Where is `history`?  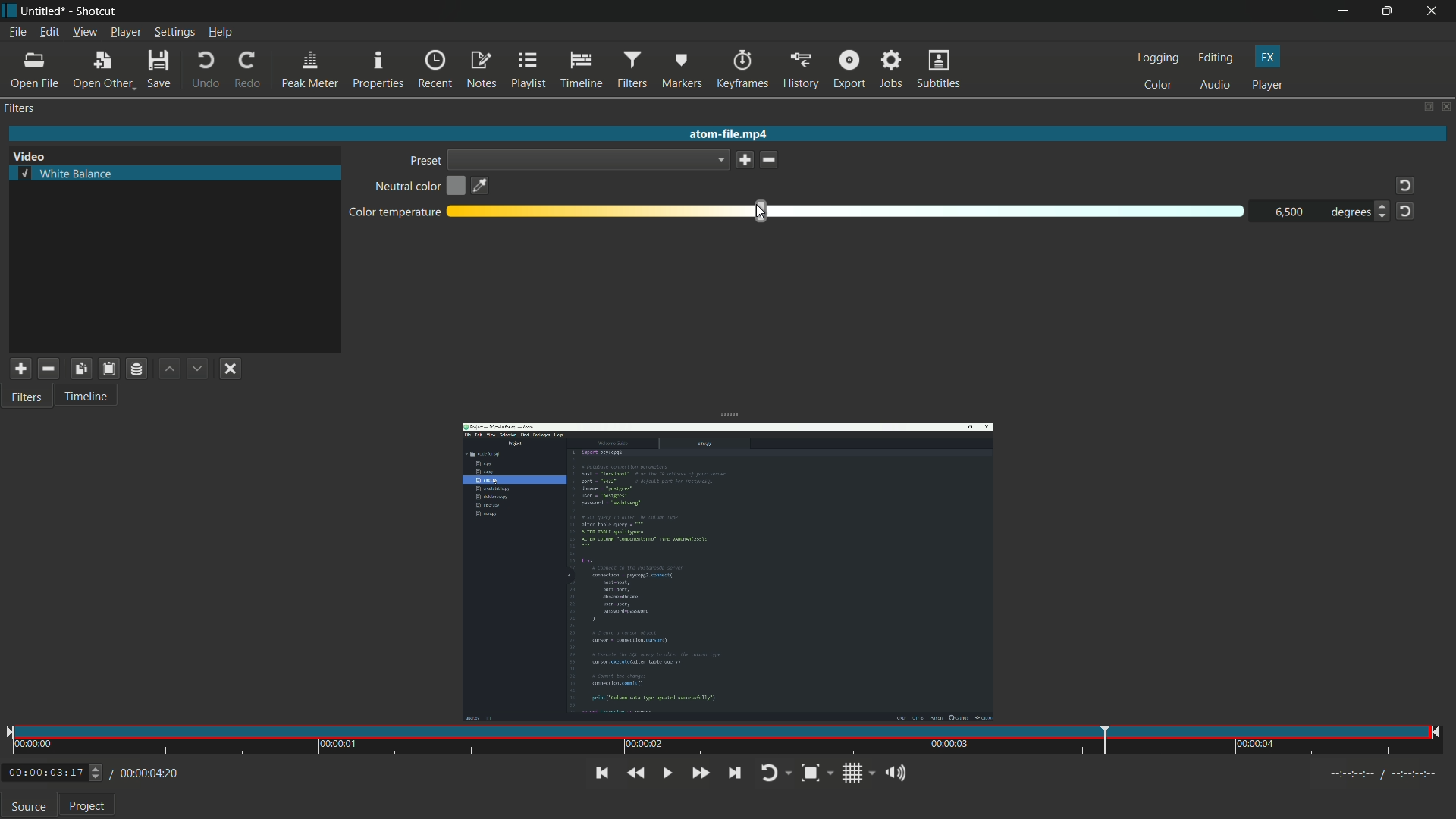
history is located at coordinates (802, 68).